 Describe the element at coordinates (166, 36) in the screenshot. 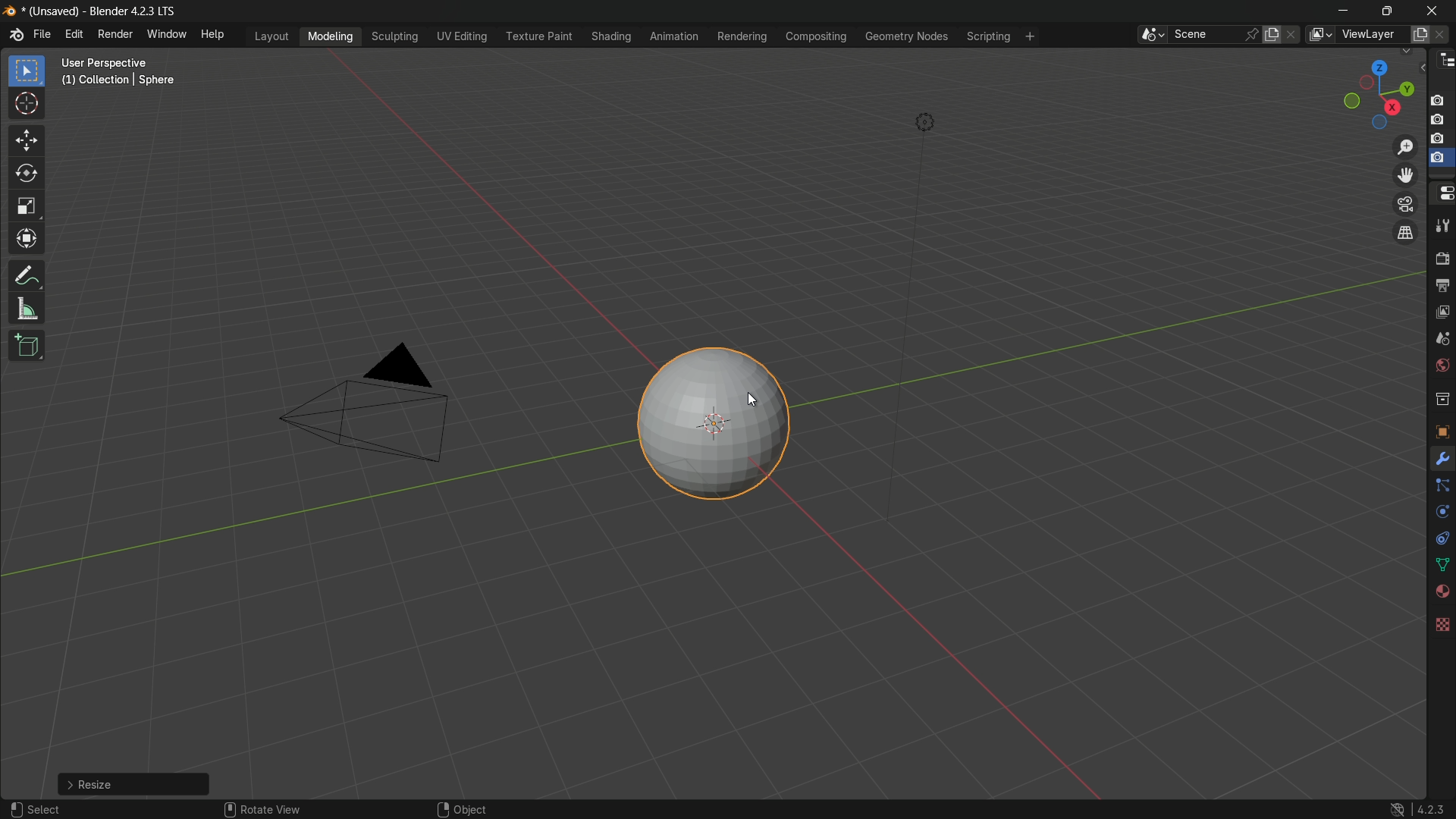

I see `window menu` at that location.